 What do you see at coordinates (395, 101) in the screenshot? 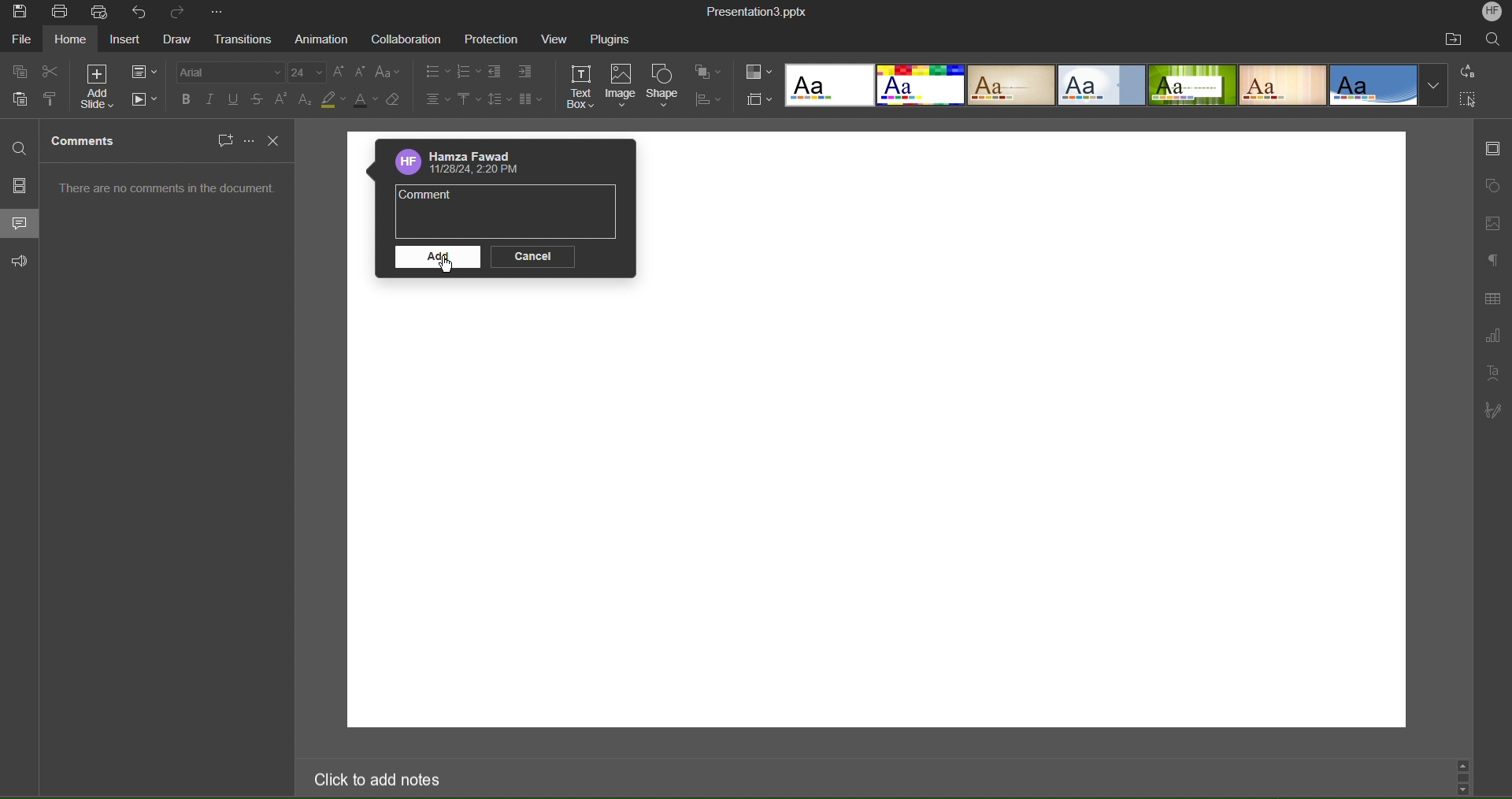
I see `Erase Style` at bounding box center [395, 101].